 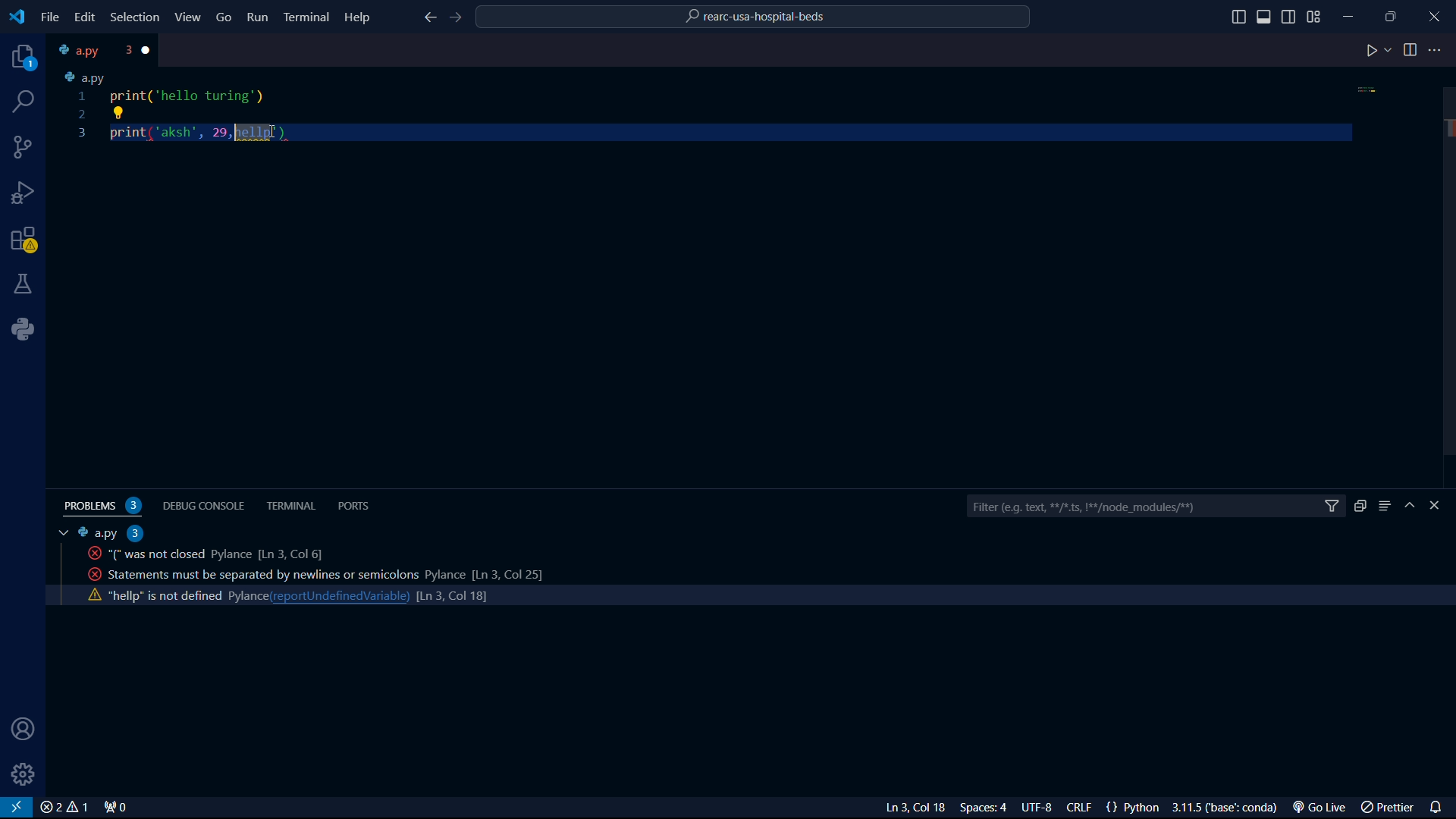 What do you see at coordinates (259, 20) in the screenshot?
I see `Run` at bounding box center [259, 20].